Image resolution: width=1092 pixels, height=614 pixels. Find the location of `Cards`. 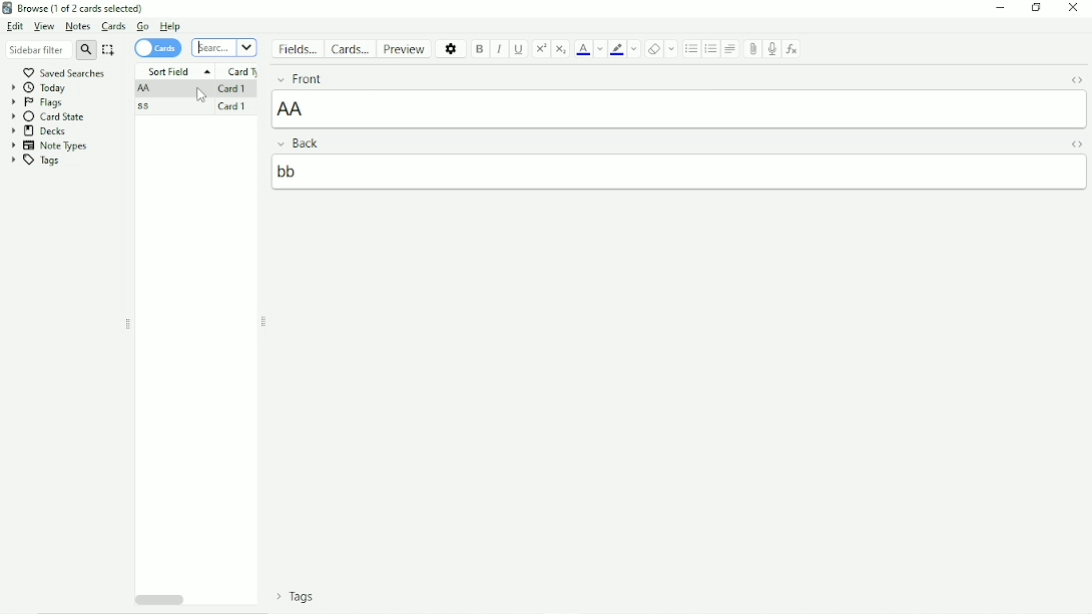

Cards is located at coordinates (351, 48).